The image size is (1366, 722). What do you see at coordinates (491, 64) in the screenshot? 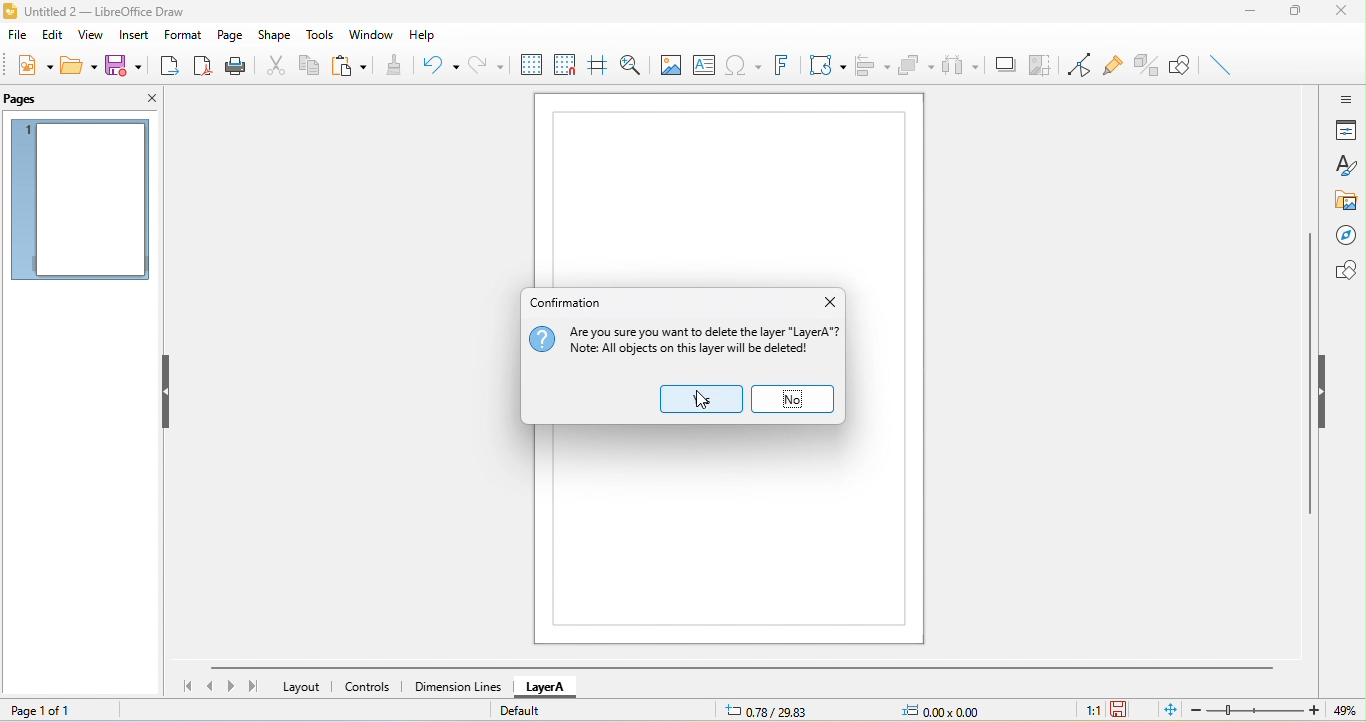
I see `redo` at bounding box center [491, 64].